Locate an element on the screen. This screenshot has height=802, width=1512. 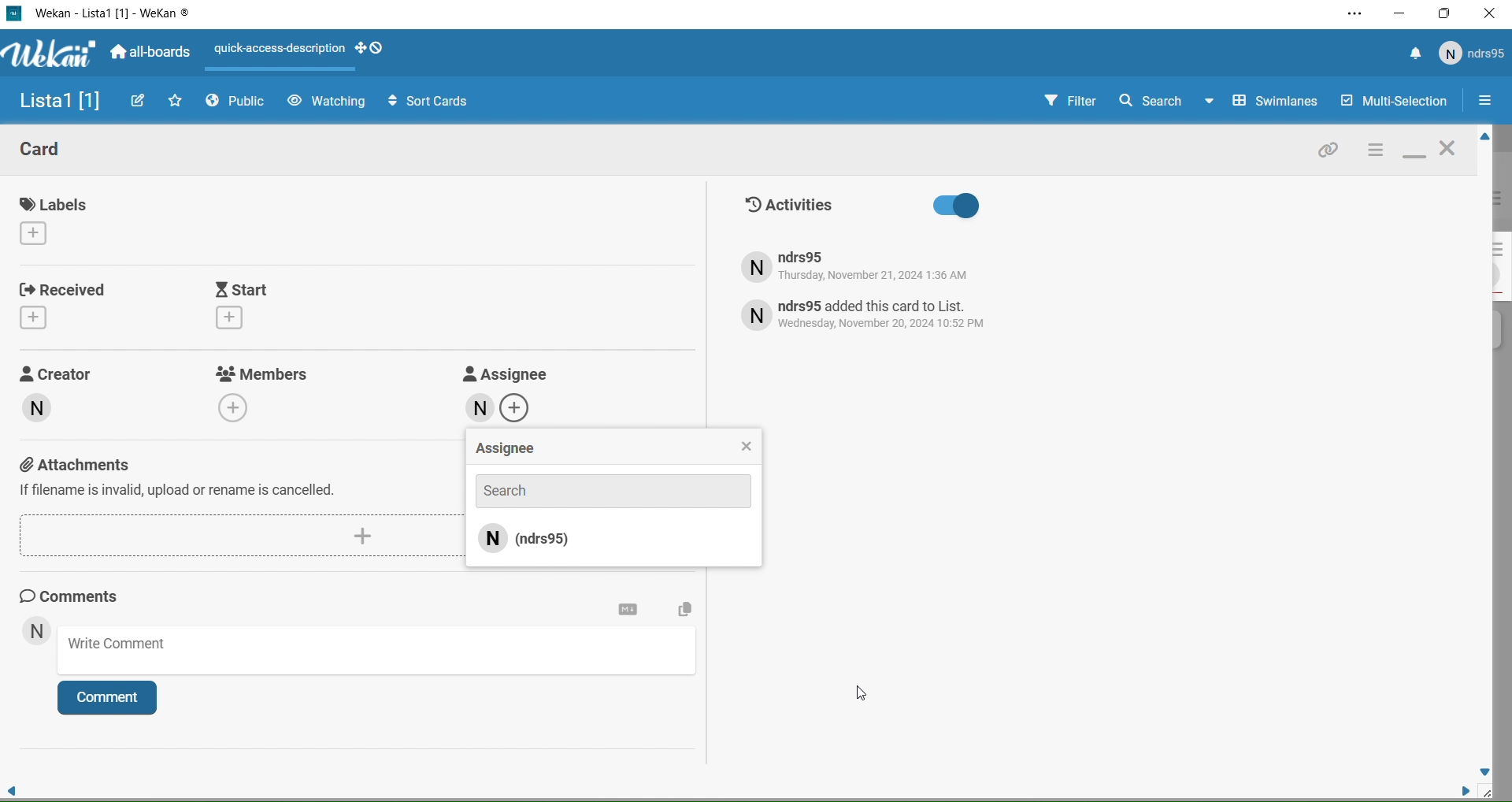
move up is located at coordinates (1482, 138).